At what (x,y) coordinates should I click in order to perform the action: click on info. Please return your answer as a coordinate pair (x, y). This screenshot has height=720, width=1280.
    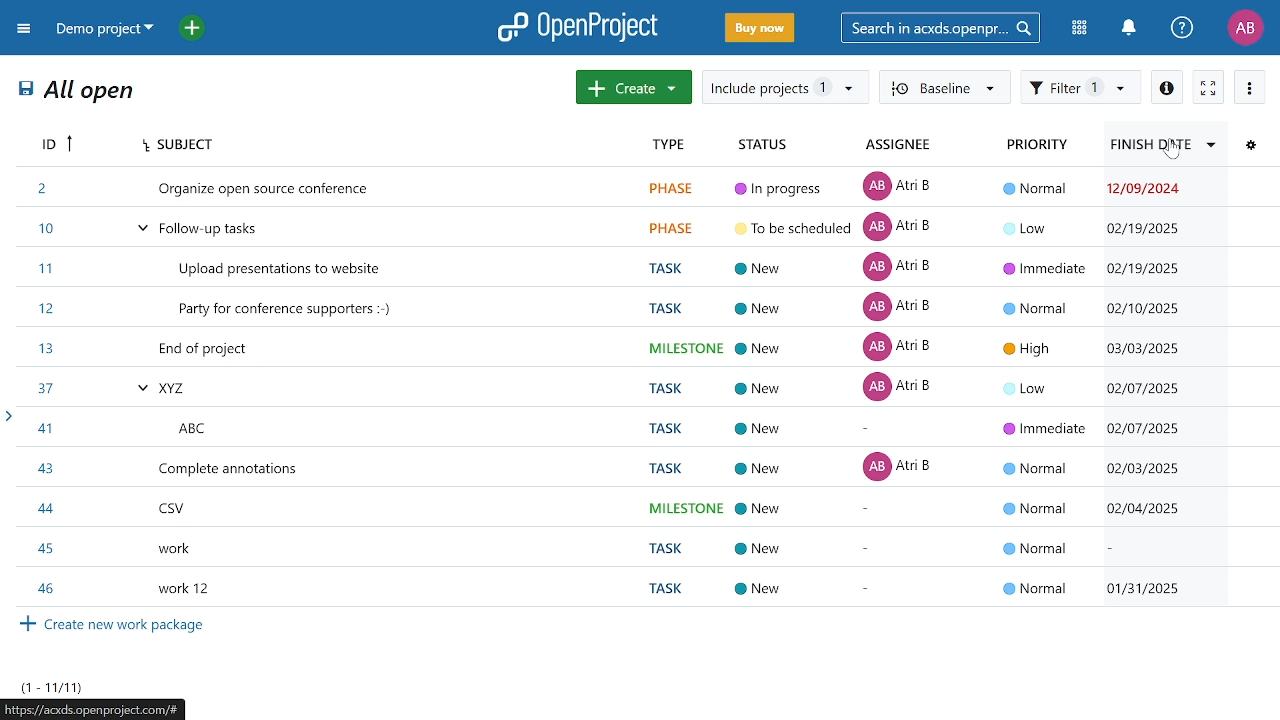
    Looking at the image, I should click on (1170, 87).